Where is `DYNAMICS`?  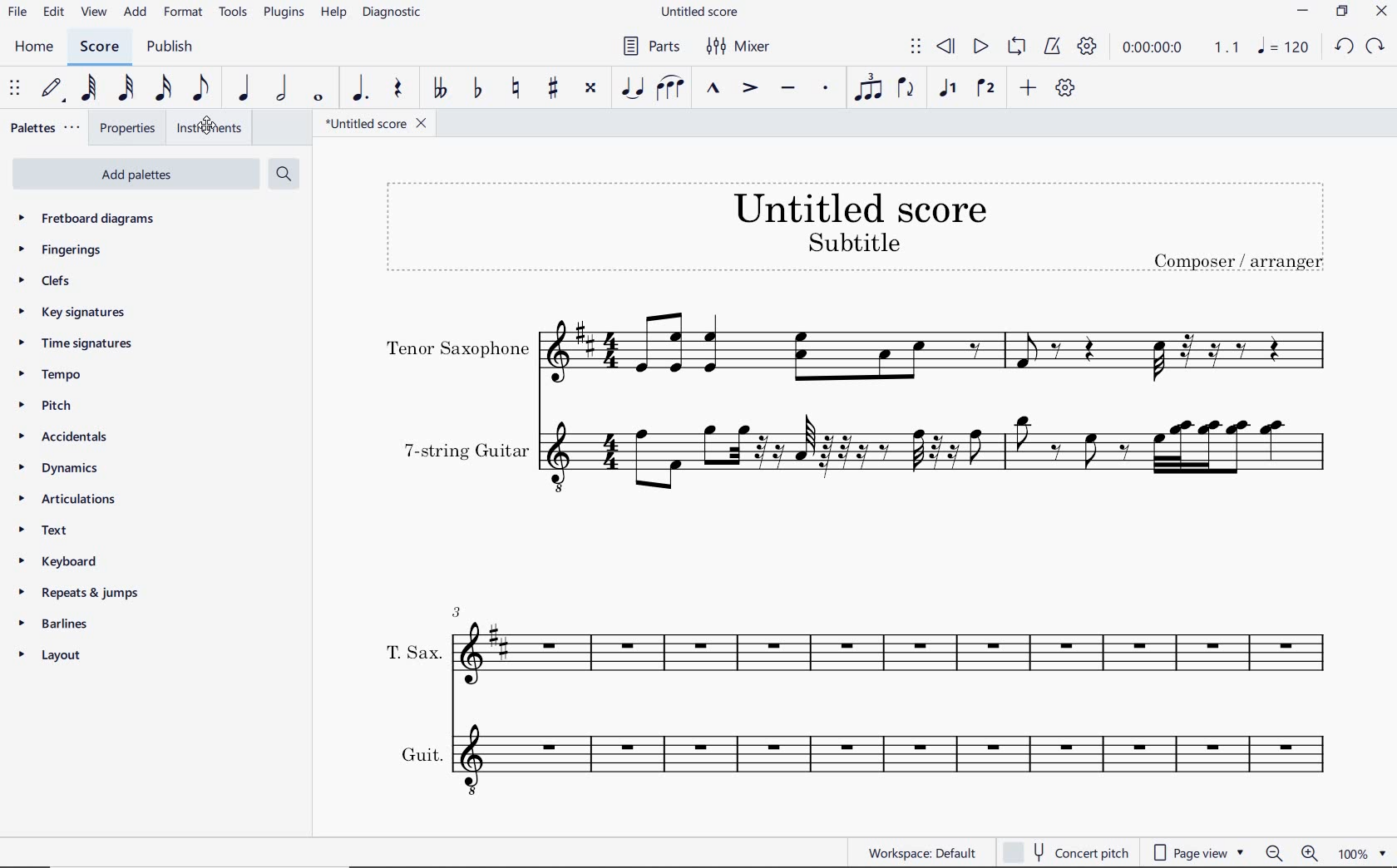 DYNAMICS is located at coordinates (58, 468).